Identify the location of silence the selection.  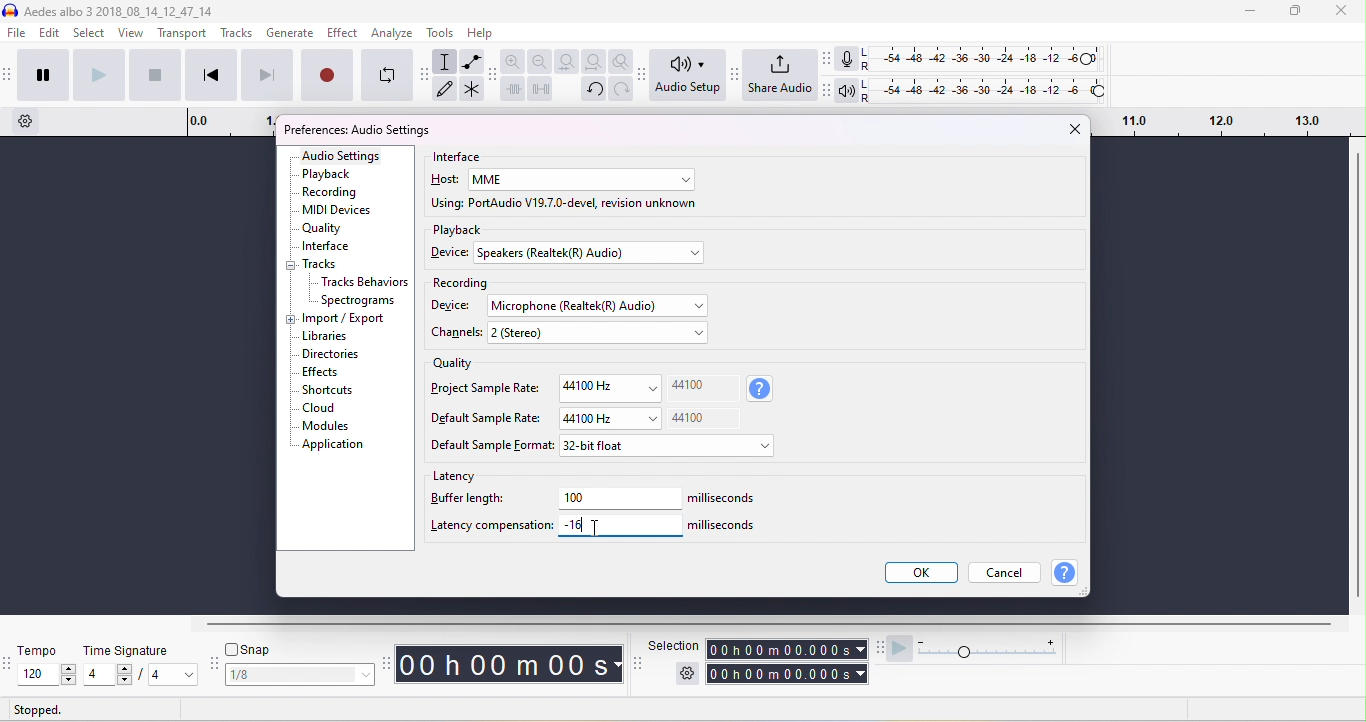
(544, 92).